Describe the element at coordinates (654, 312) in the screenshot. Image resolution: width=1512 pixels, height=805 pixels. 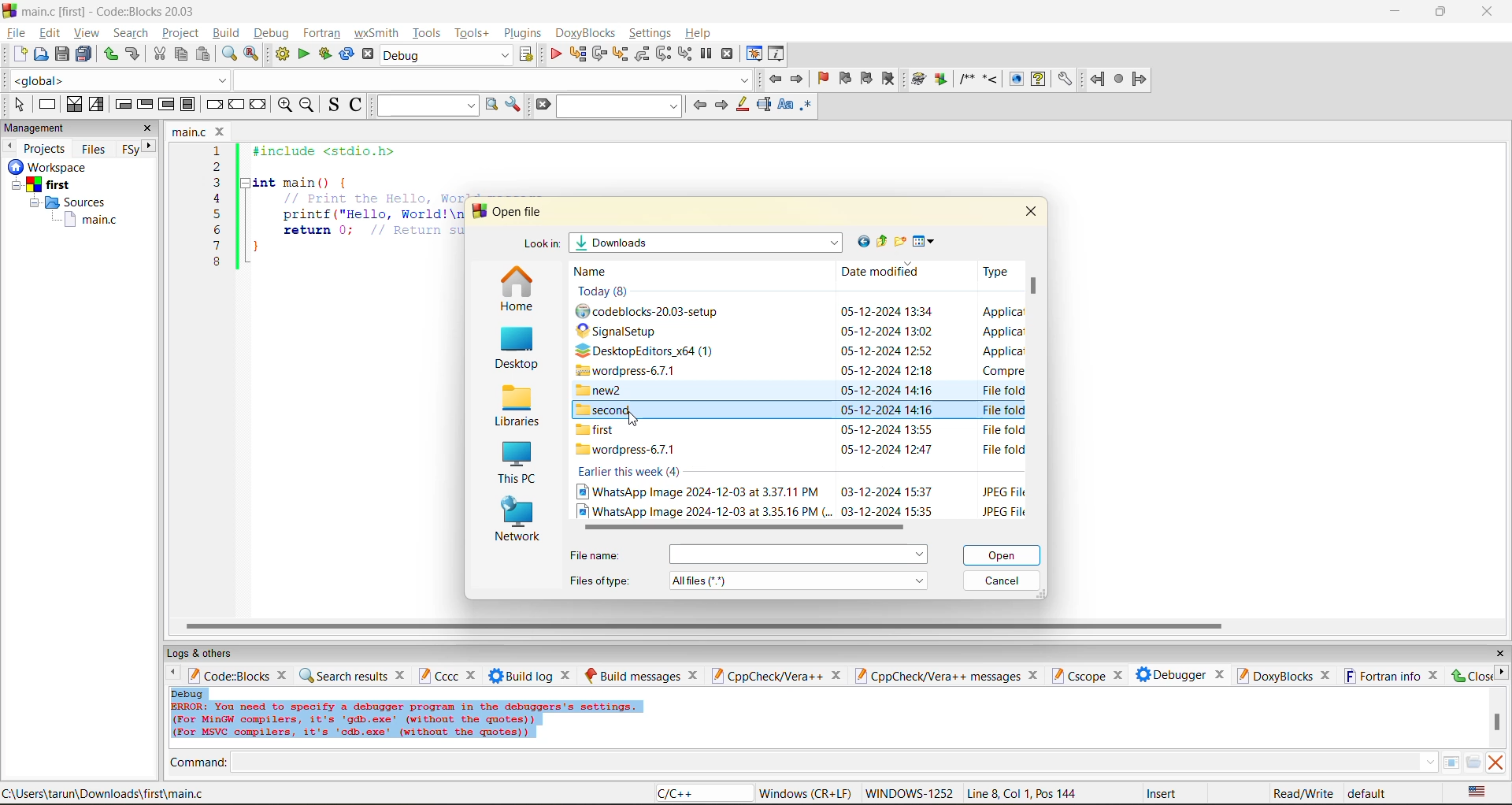
I see `codeblocks setup file` at that location.